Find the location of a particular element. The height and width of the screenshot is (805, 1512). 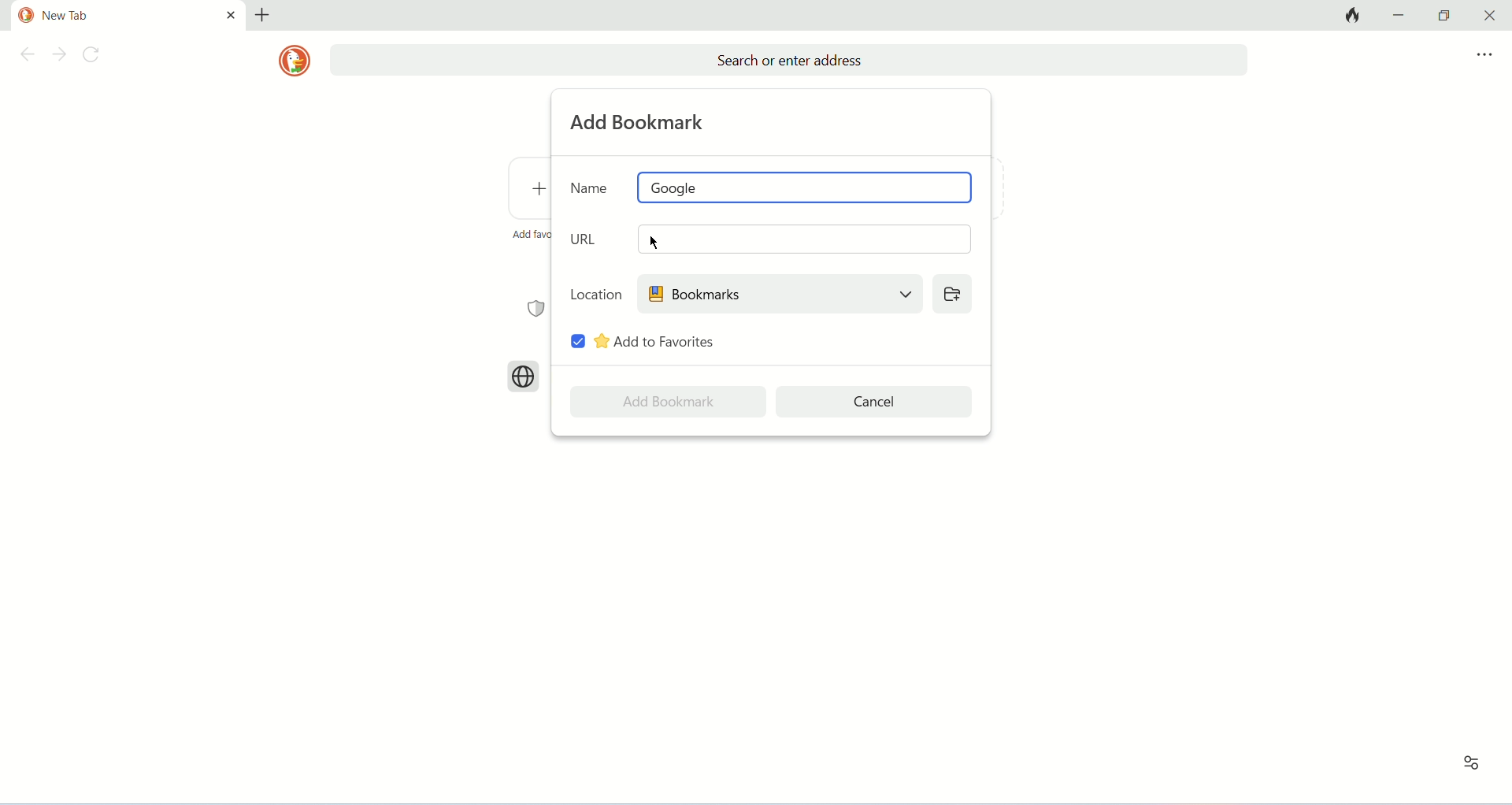

maximize is located at coordinates (1444, 16).